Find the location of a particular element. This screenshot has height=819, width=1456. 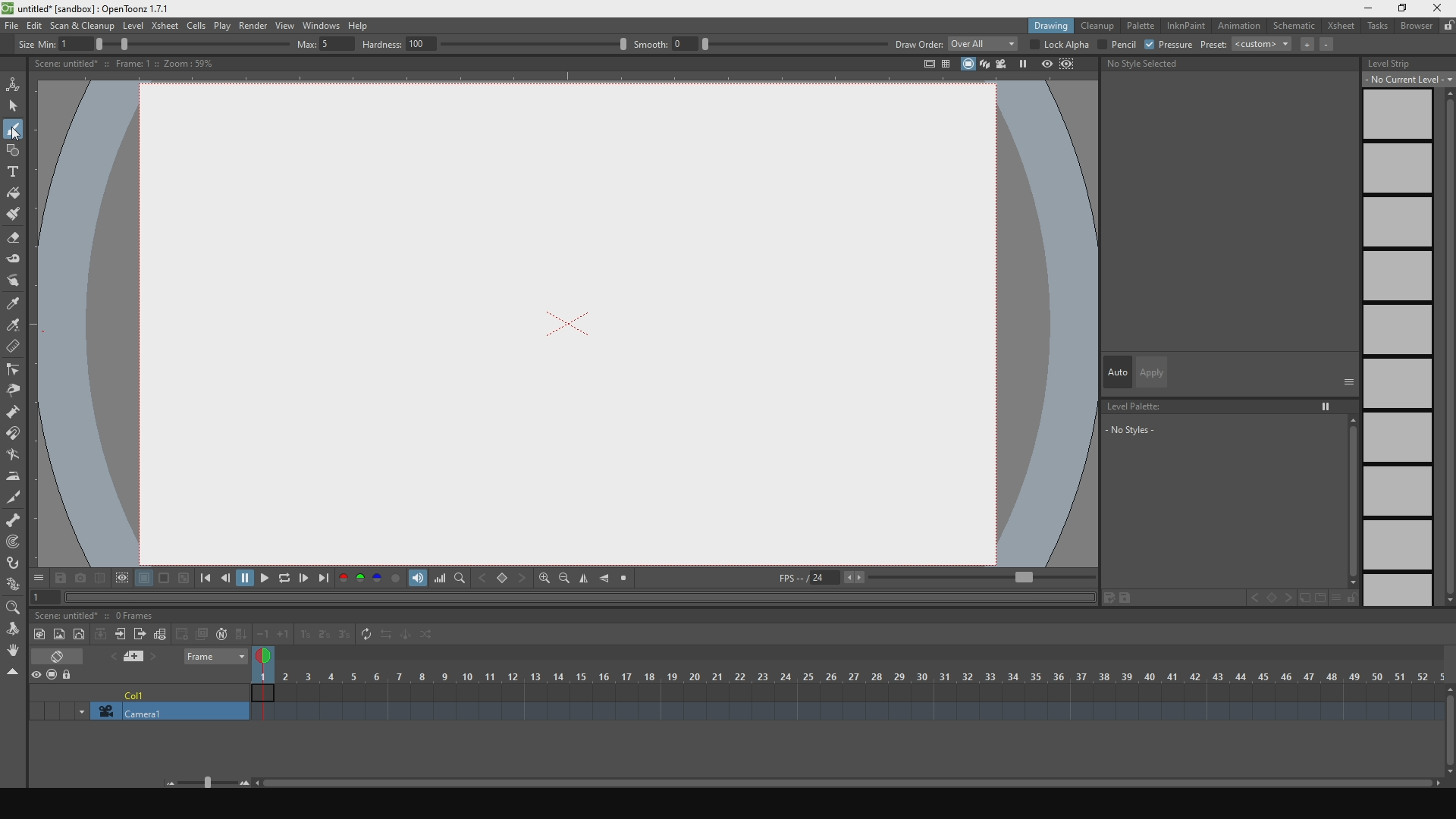

schematic is located at coordinates (1296, 27).